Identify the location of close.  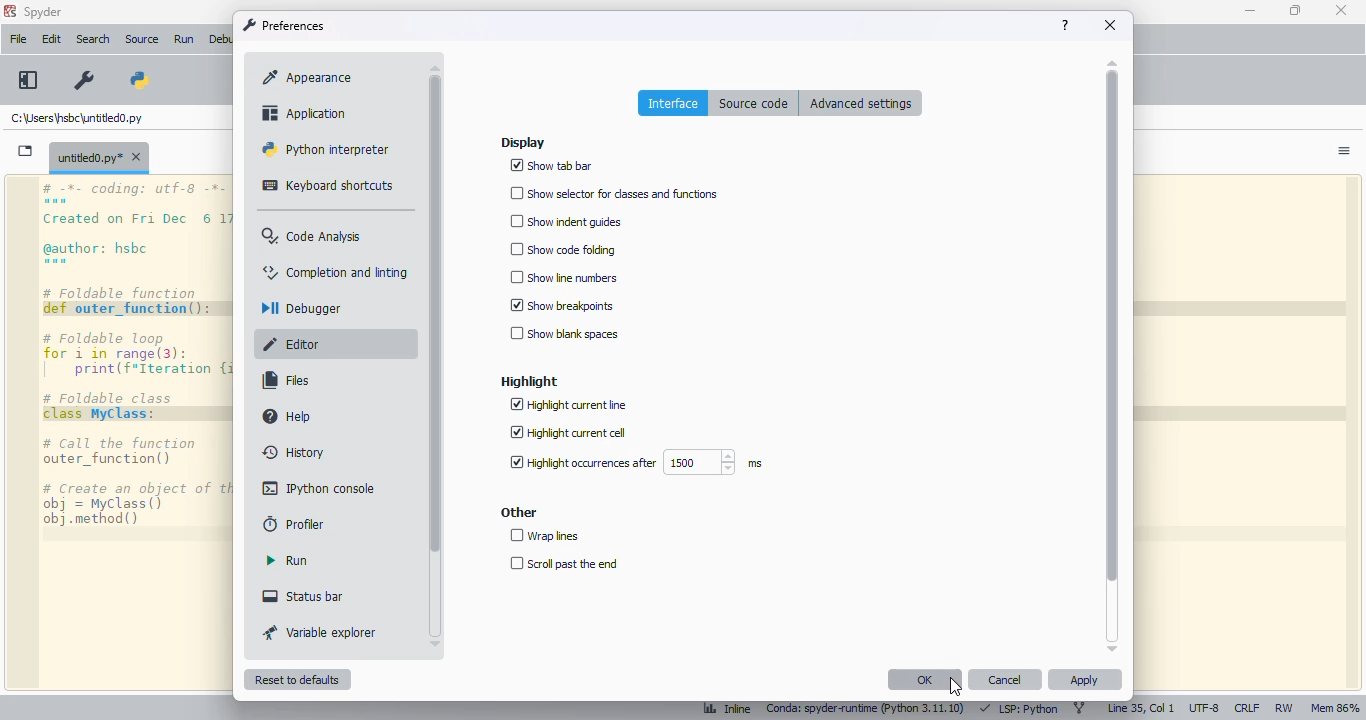
(1341, 10).